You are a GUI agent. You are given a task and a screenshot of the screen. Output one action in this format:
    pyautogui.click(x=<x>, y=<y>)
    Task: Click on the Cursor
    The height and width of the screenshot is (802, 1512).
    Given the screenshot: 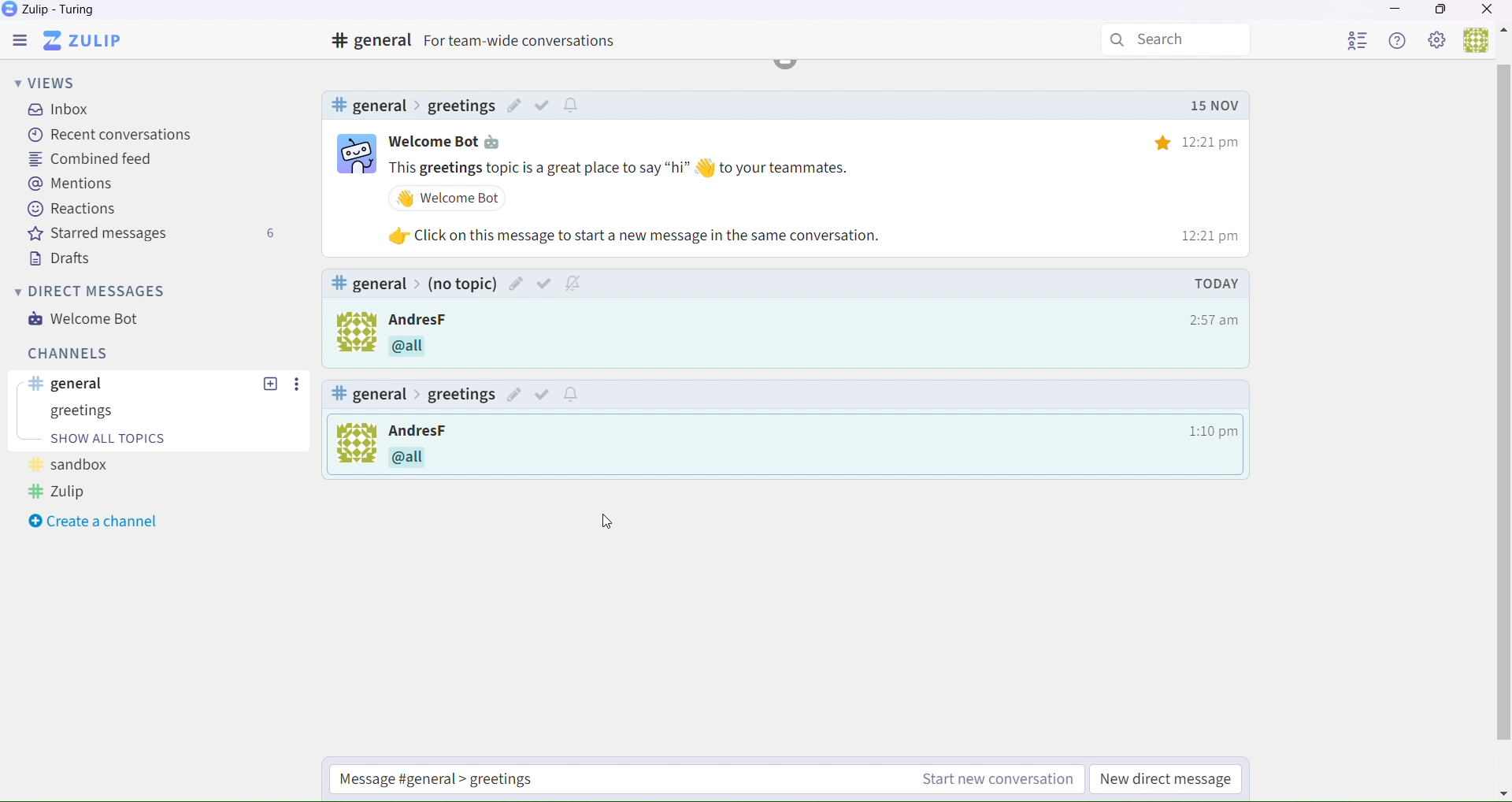 What is the action you would take?
    pyautogui.click(x=610, y=524)
    